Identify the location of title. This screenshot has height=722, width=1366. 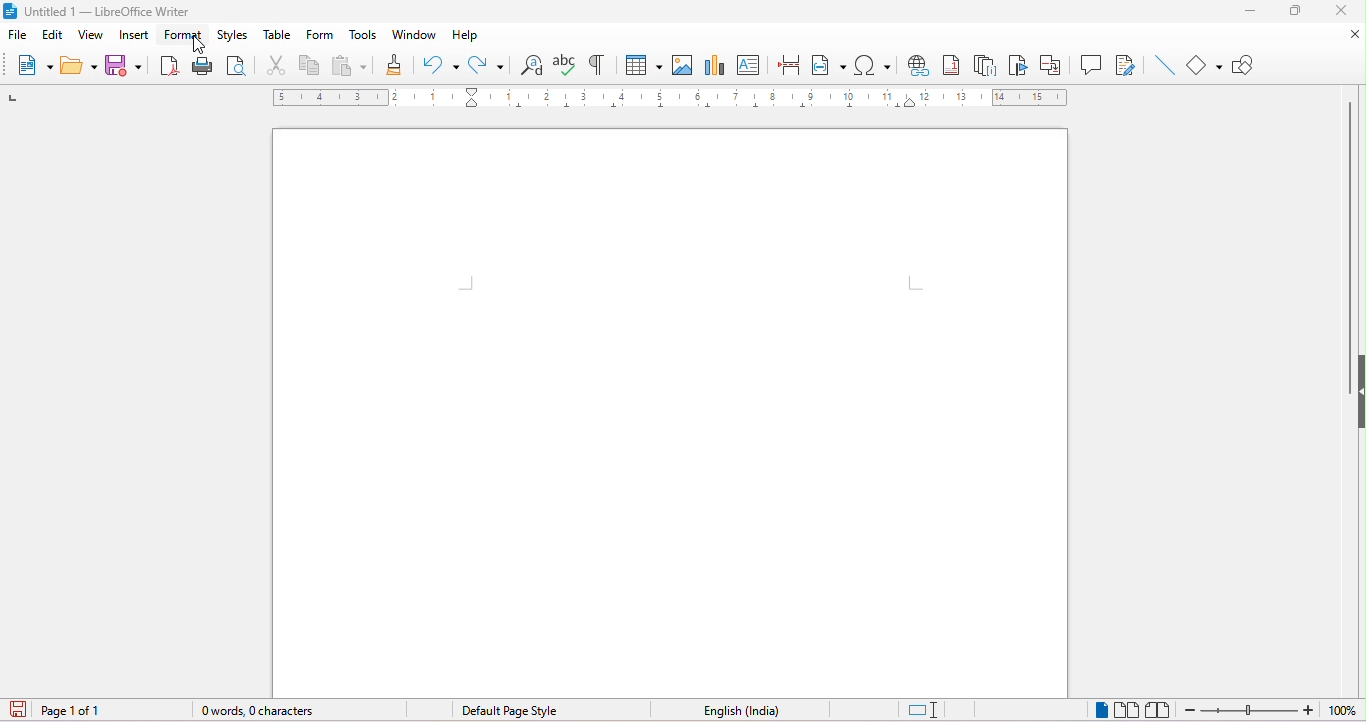
(98, 12).